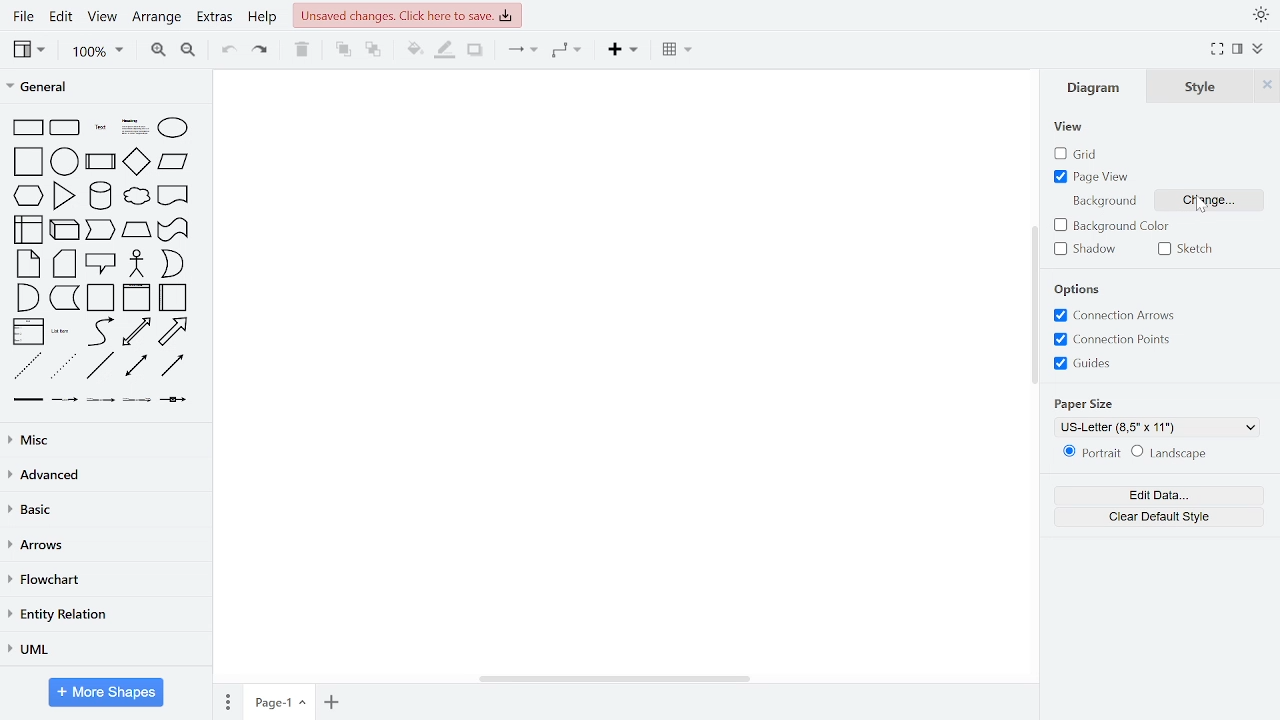  Describe the element at coordinates (1219, 49) in the screenshot. I see `full screen` at that location.